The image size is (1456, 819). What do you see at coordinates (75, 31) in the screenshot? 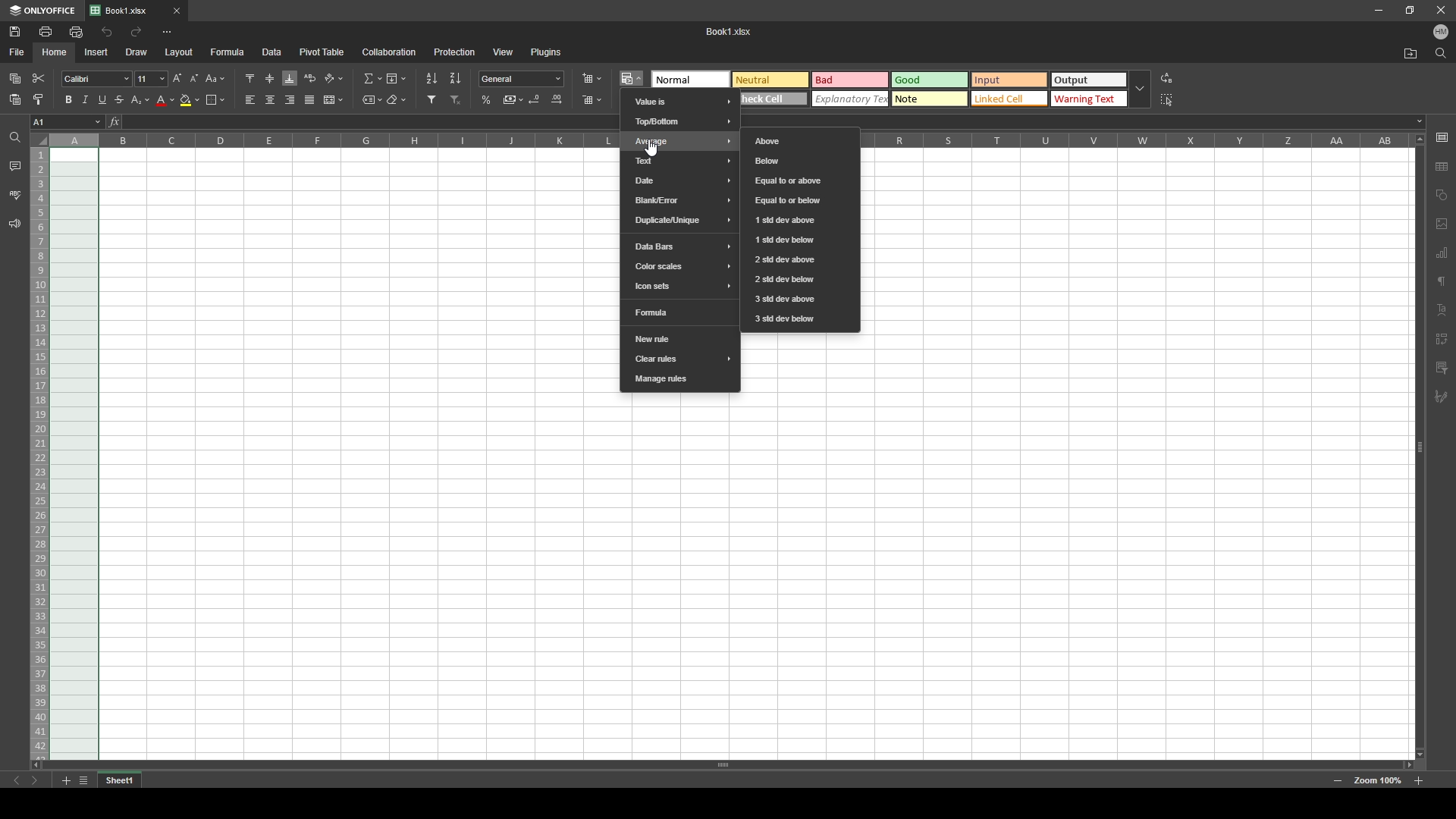
I see `quick print` at bounding box center [75, 31].